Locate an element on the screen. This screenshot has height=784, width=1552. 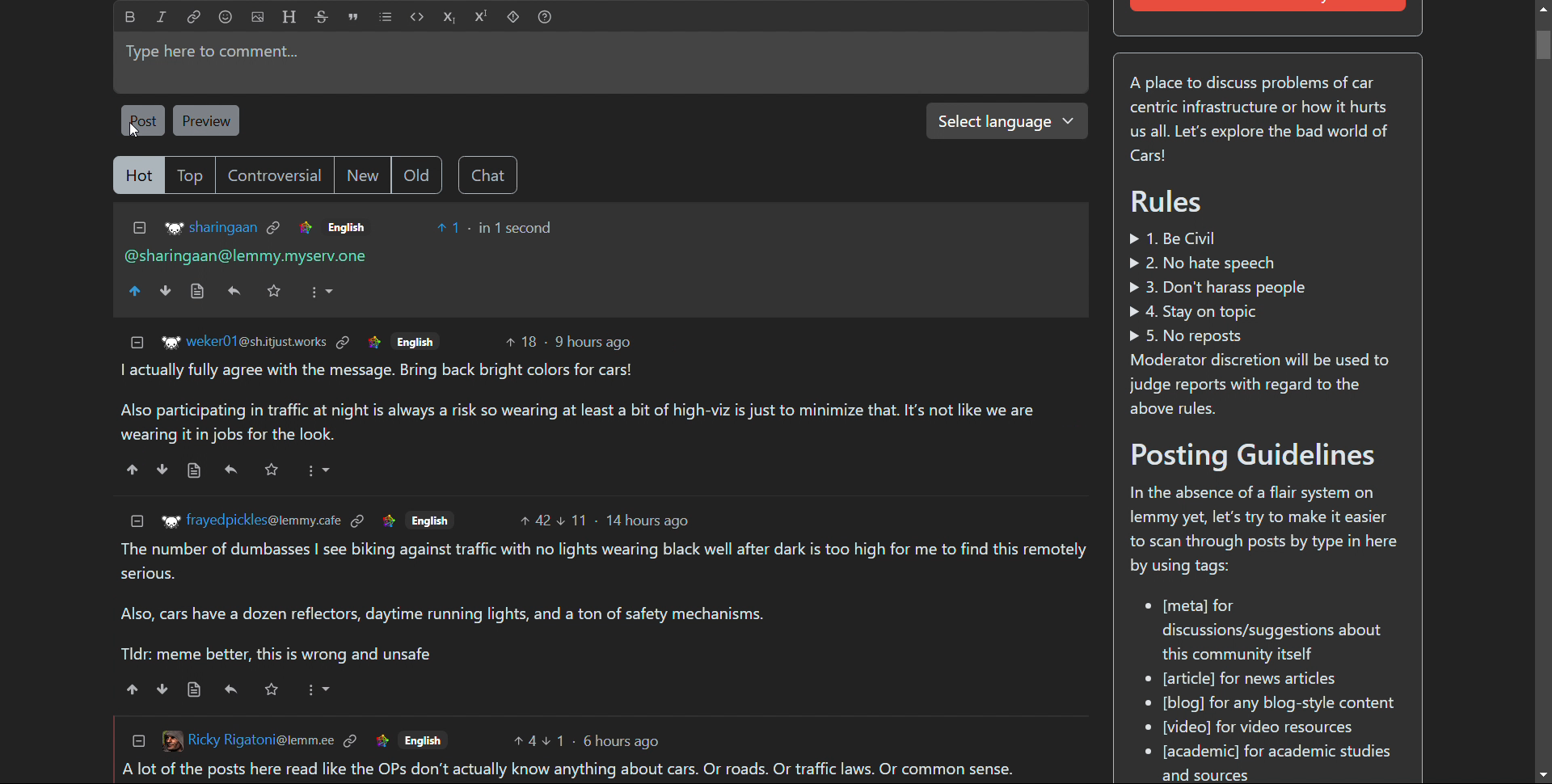
Reply is located at coordinates (234, 292).